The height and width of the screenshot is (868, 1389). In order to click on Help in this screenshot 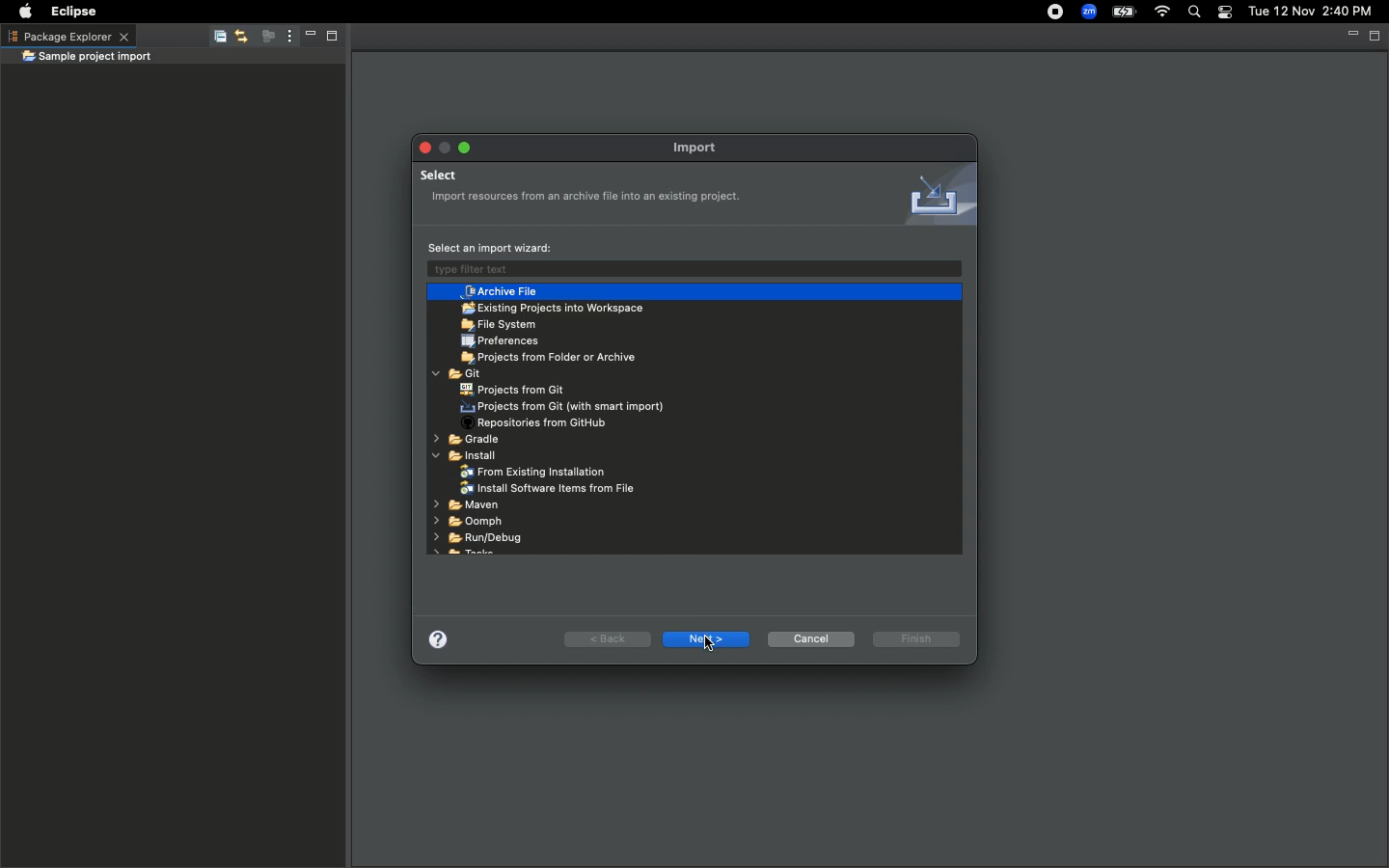, I will do `click(442, 637)`.